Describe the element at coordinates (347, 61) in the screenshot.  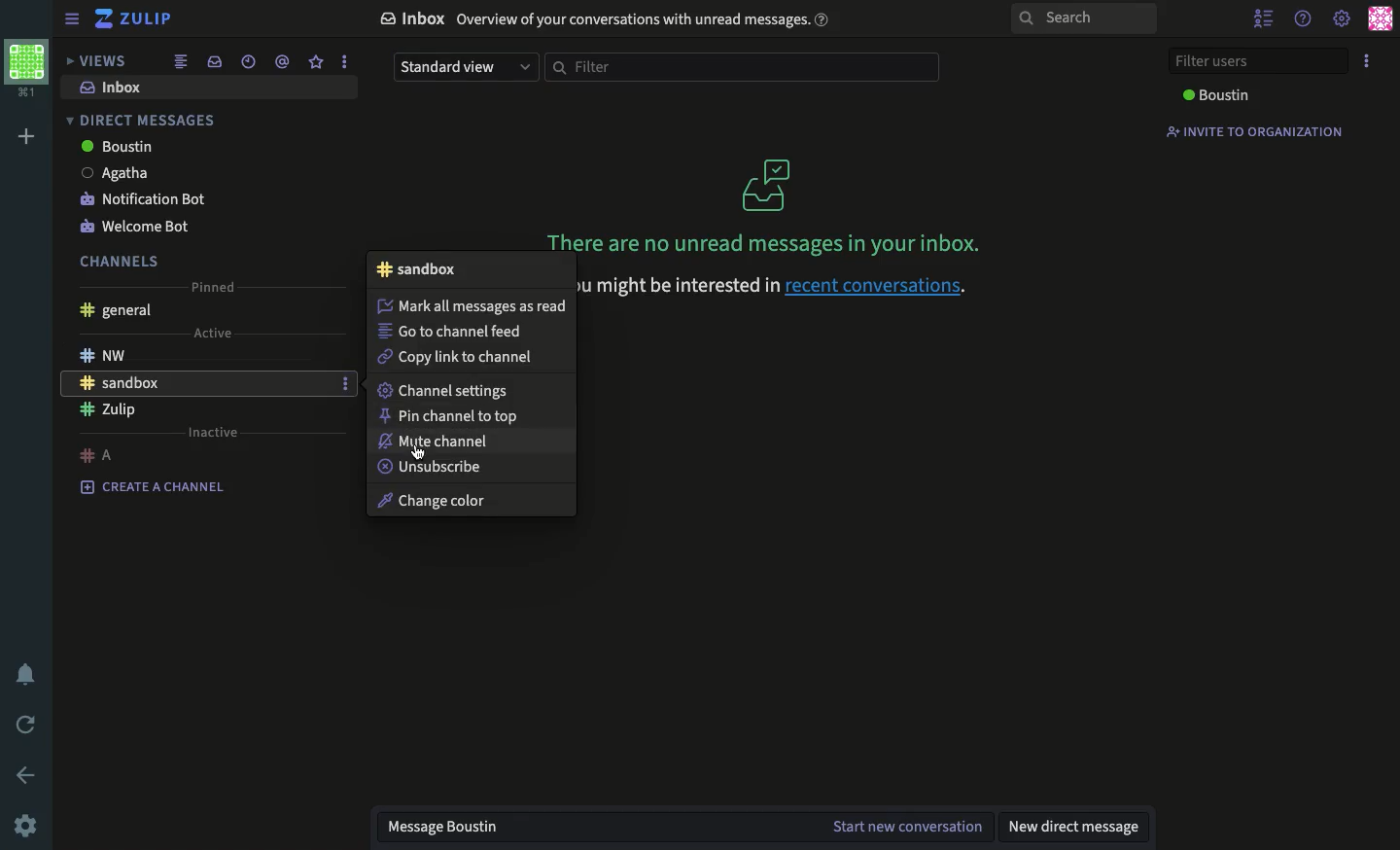
I see `options` at that location.